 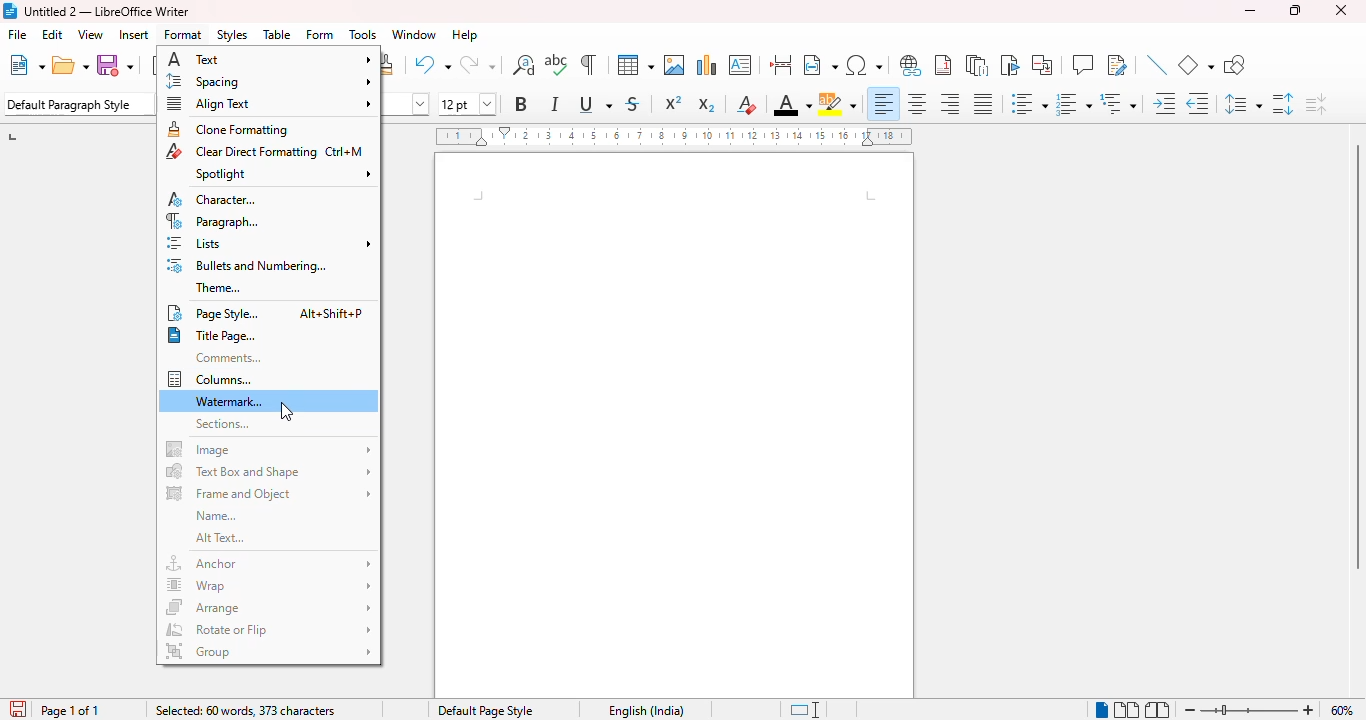 What do you see at coordinates (1309, 709) in the screenshot?
I see `zoom in` at bounding box center [1309, 709].